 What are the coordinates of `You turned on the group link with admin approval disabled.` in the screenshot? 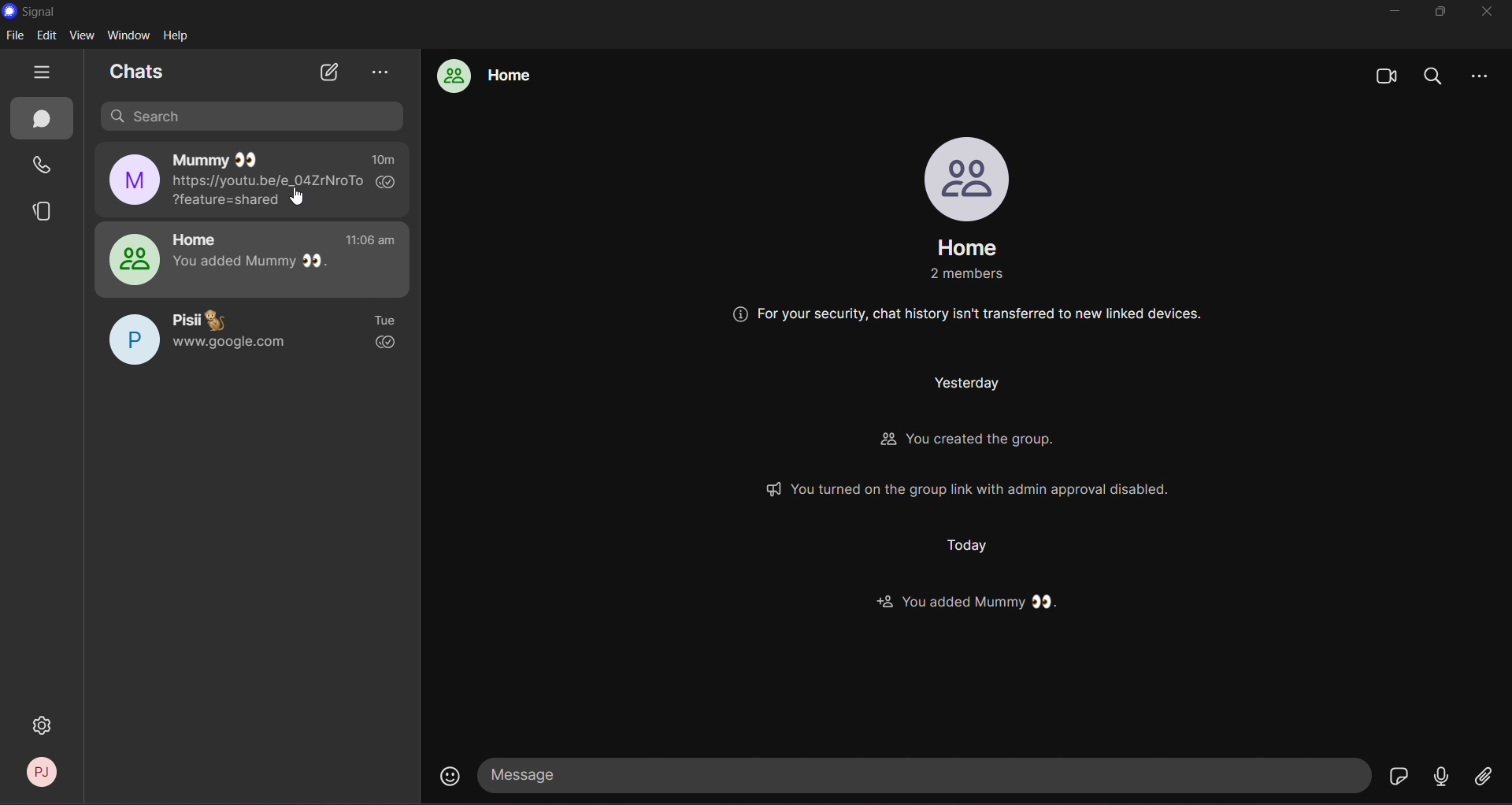 It's located at (967, 488).